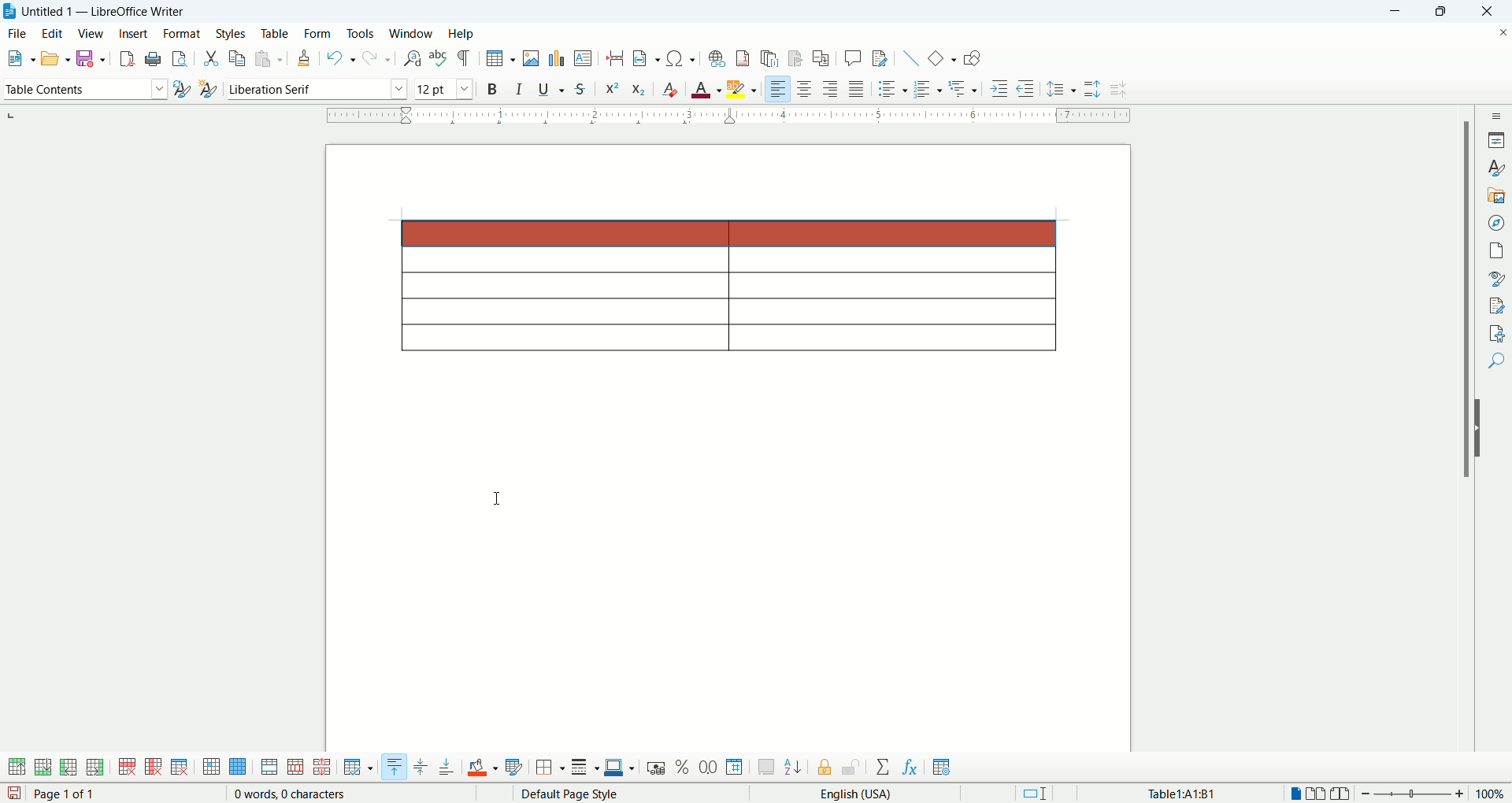 The width and height of the screenshot is (1512, 803). What do you see at coordinates (1184, 793) in the screenshot?
I see `table1` at bounding box center [1184, 793].